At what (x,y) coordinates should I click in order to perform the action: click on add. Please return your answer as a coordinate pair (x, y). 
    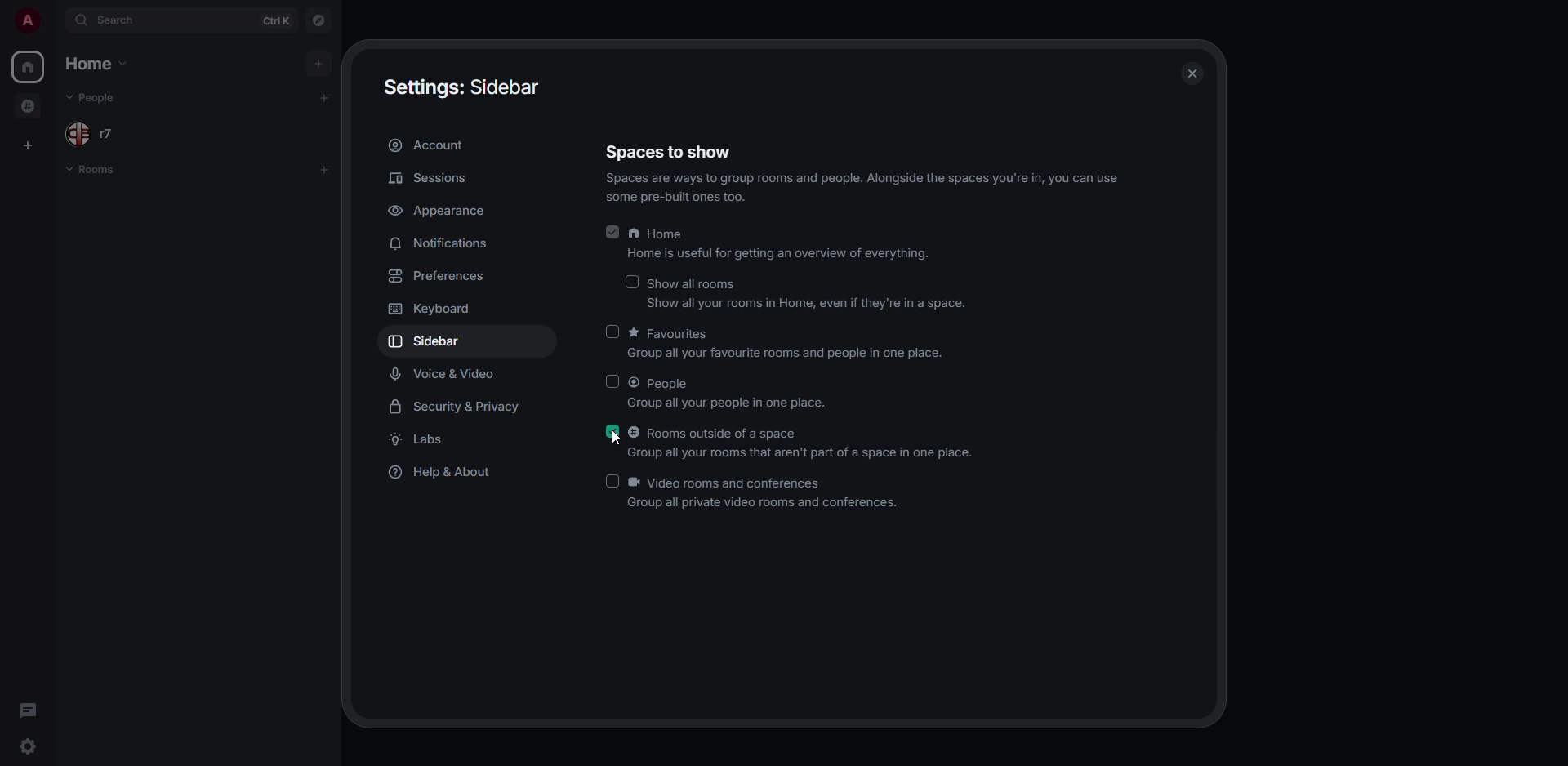
    Looking at the image, I should click on (318, 62).